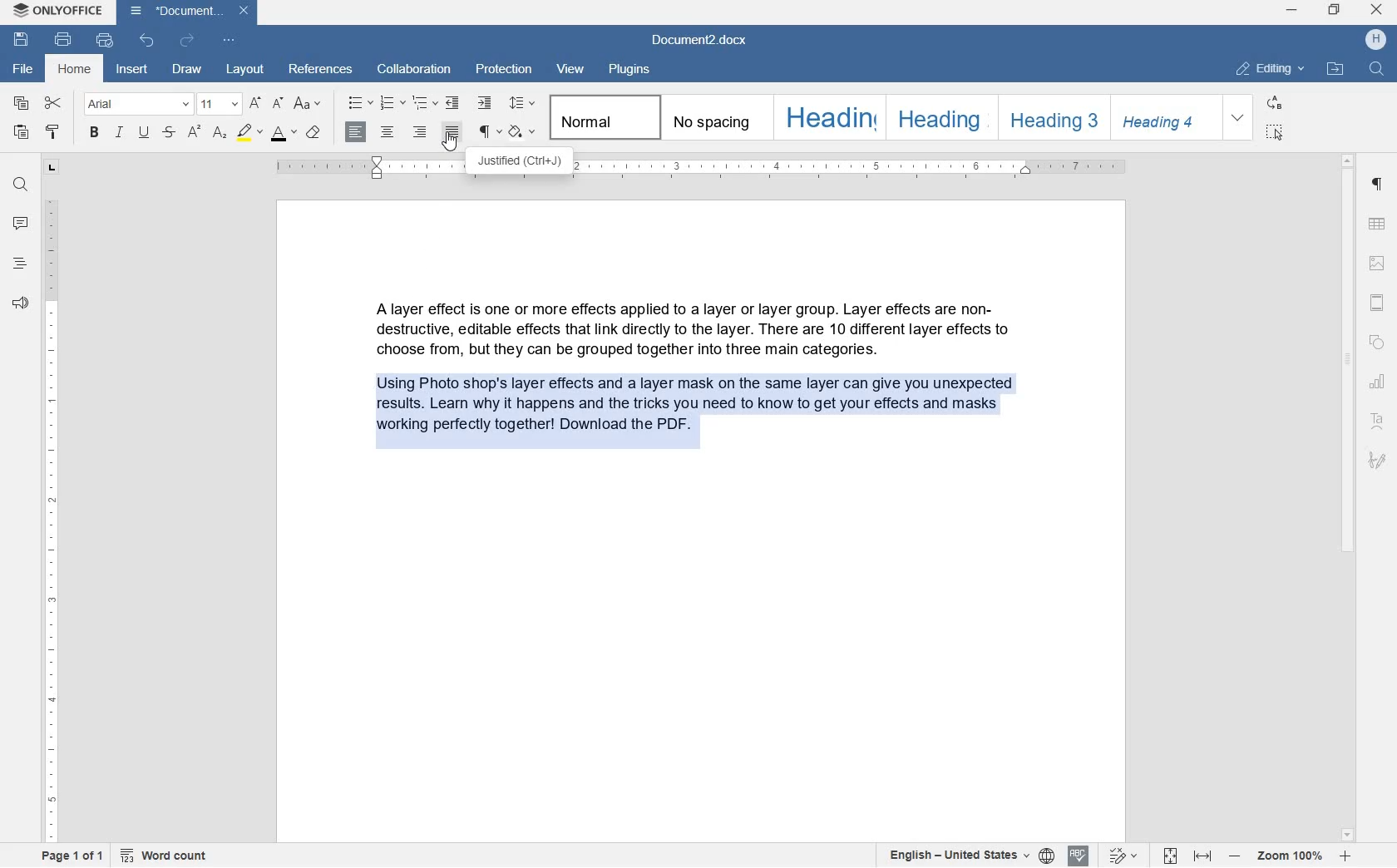 The width and height of the screenshot is (1397, 868). Describe the element at coordinates (54, 103) in the screenshot. I see `CUT` at that location.